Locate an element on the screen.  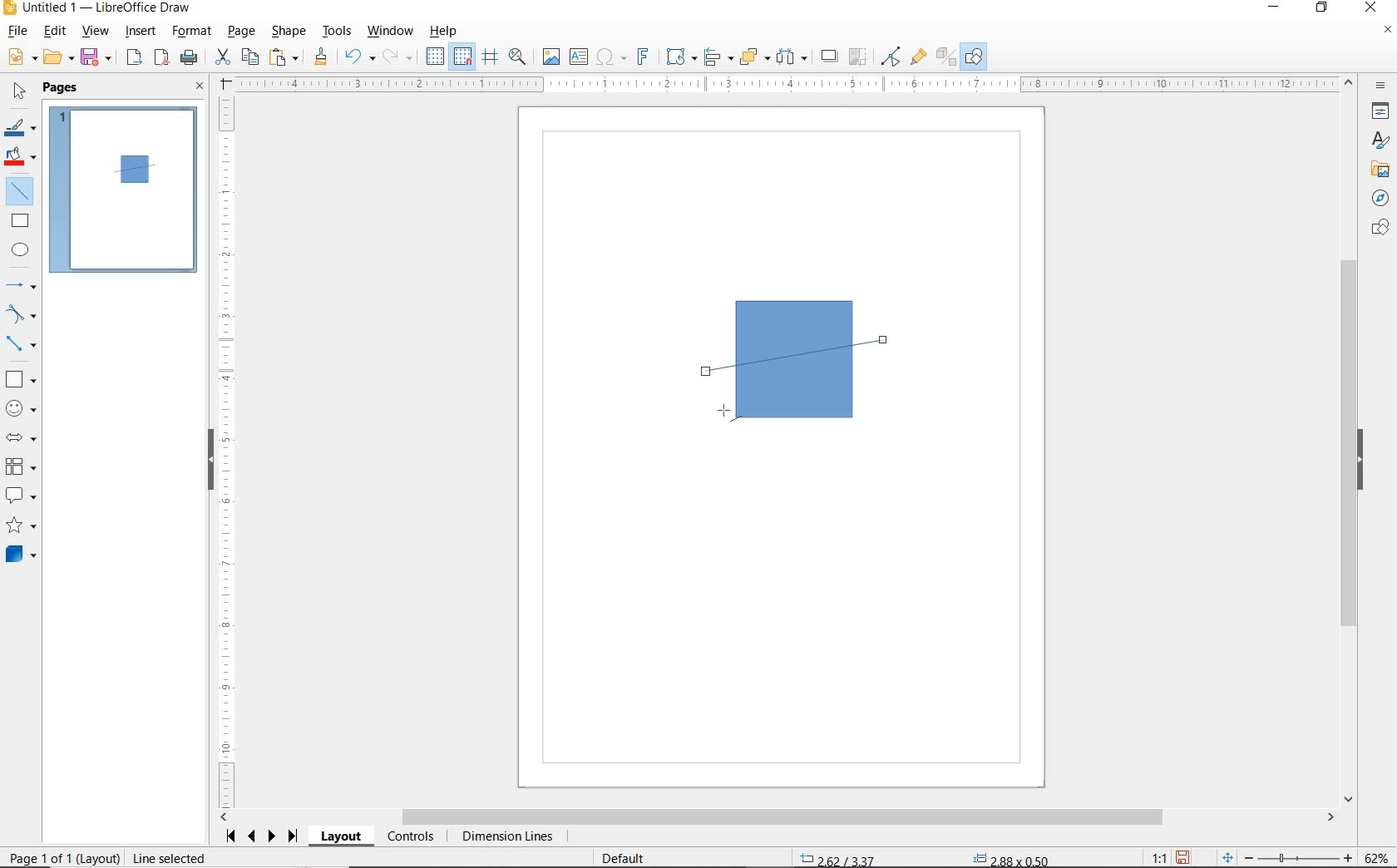
COPY is located at coordinates (249, 57).